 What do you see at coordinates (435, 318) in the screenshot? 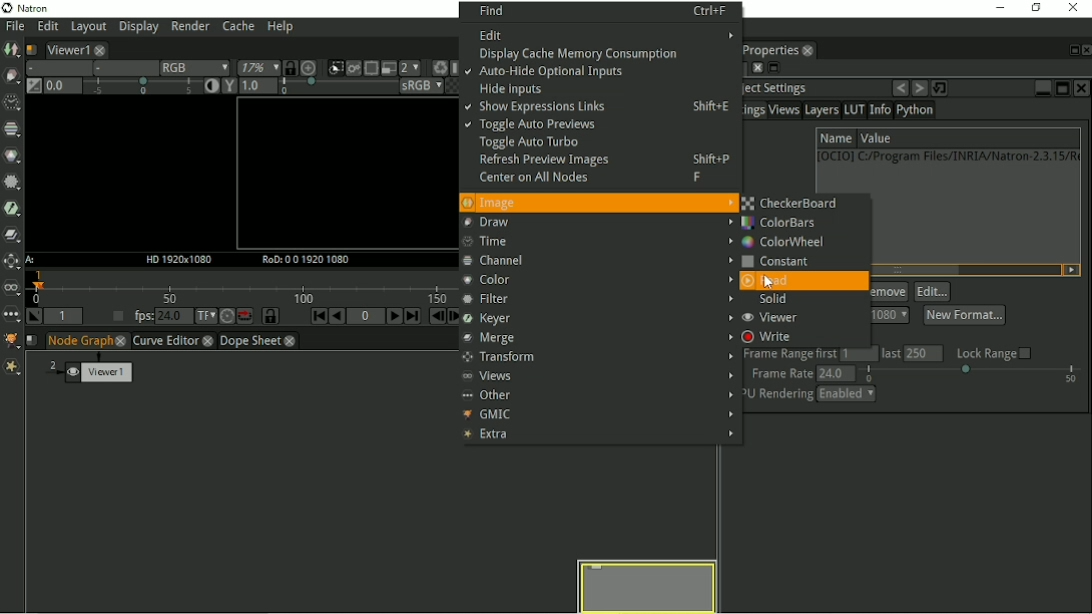
I see `Previous frame` at bounding box center [435, 318].